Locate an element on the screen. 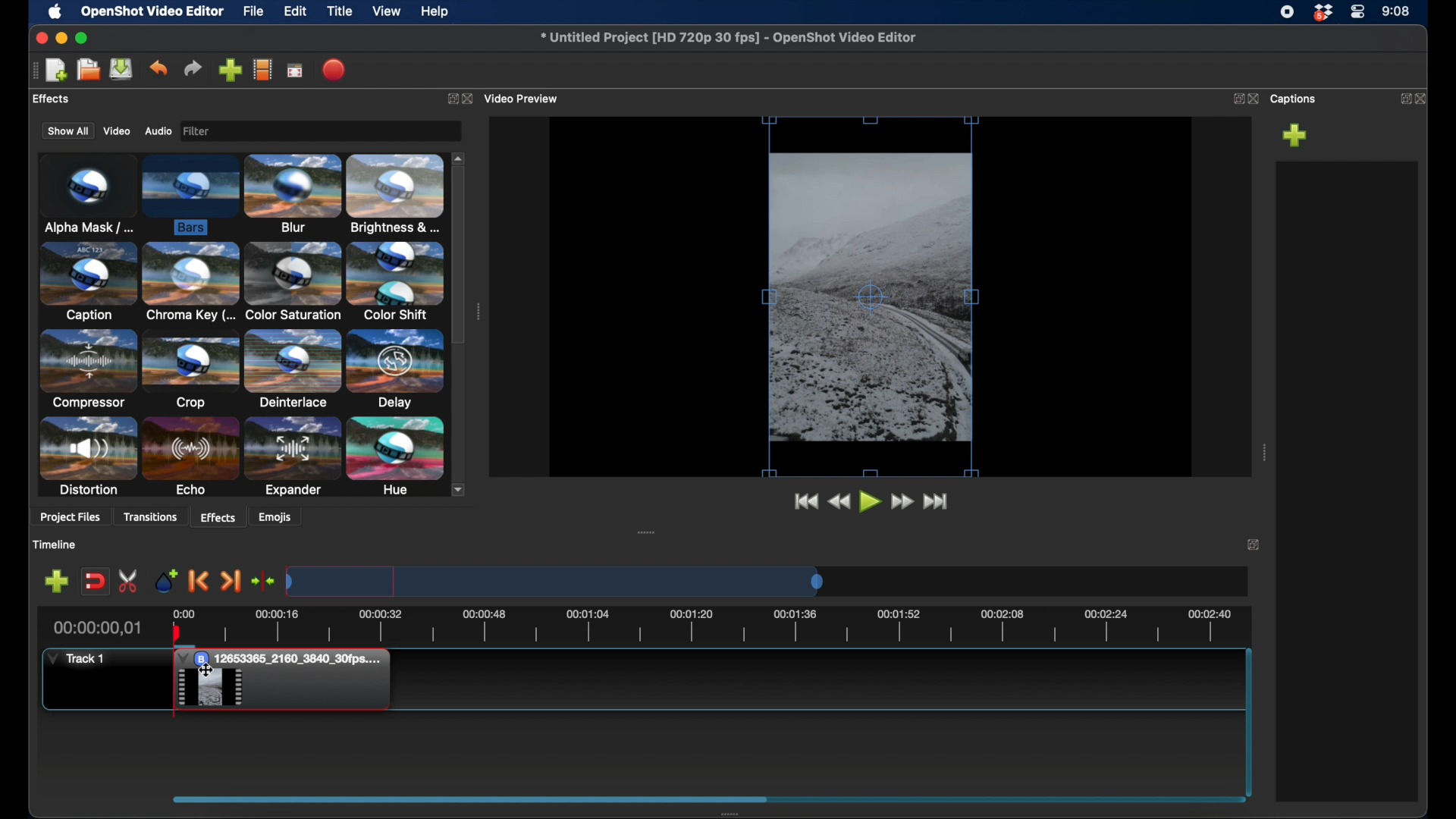  deinterlace is located at coordinates (291, 370).